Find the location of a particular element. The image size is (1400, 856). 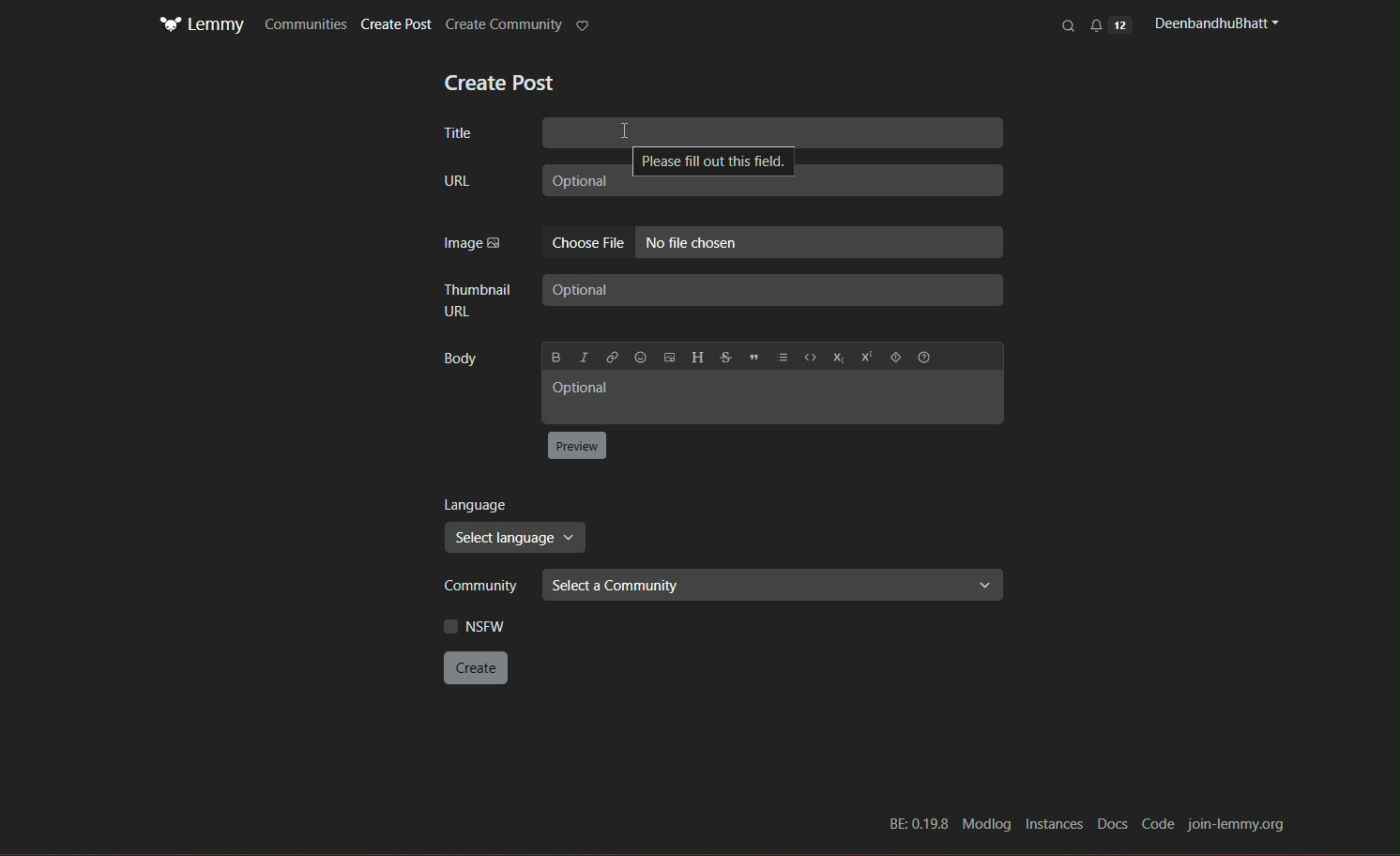

formatting help is located at coordinates (925, 356).